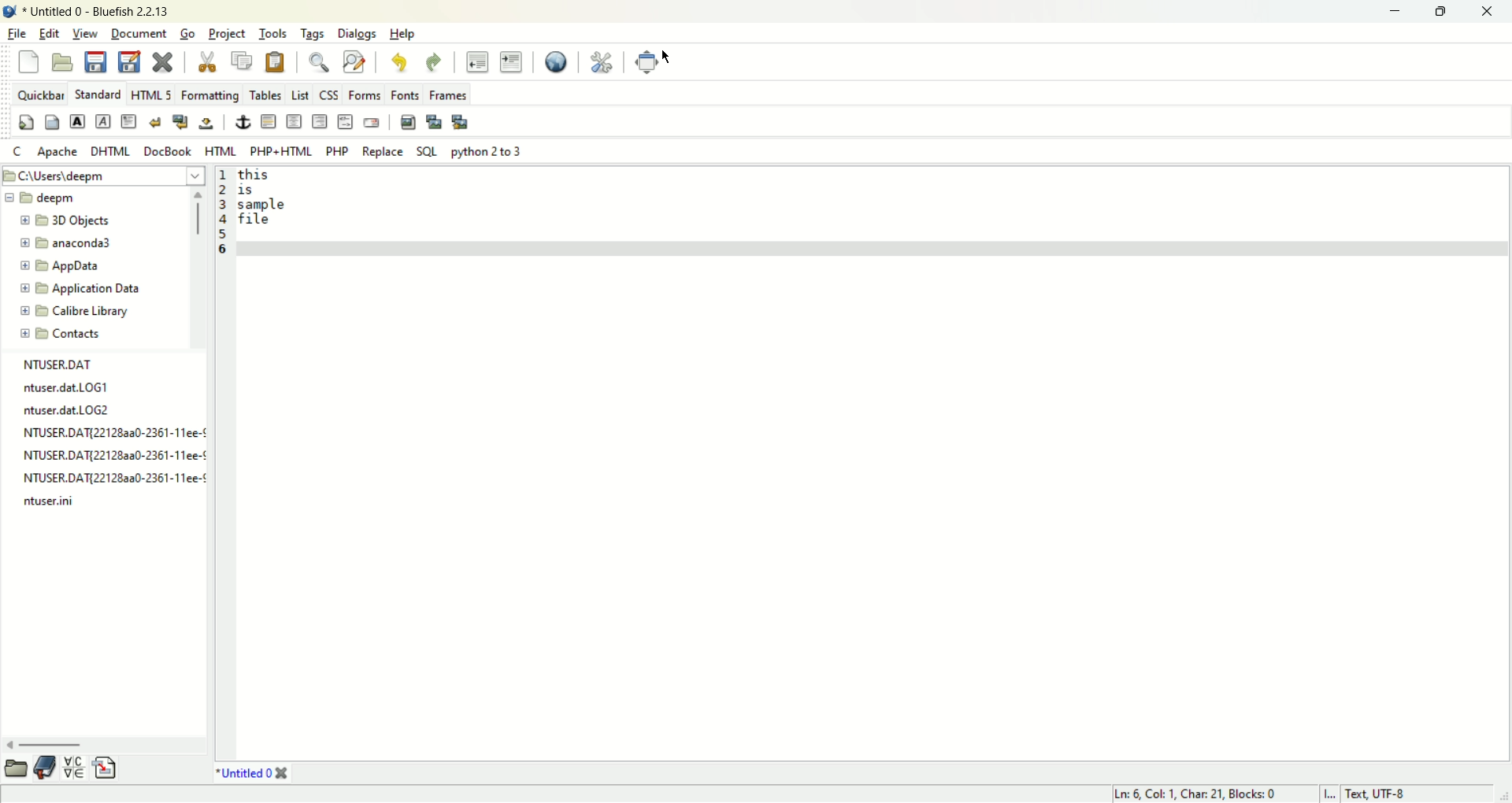 The image size is (1512, 803). What do you see at coordinates (368, 95) in the screenshot?
I see `forms` at bounding box center [368, 95].